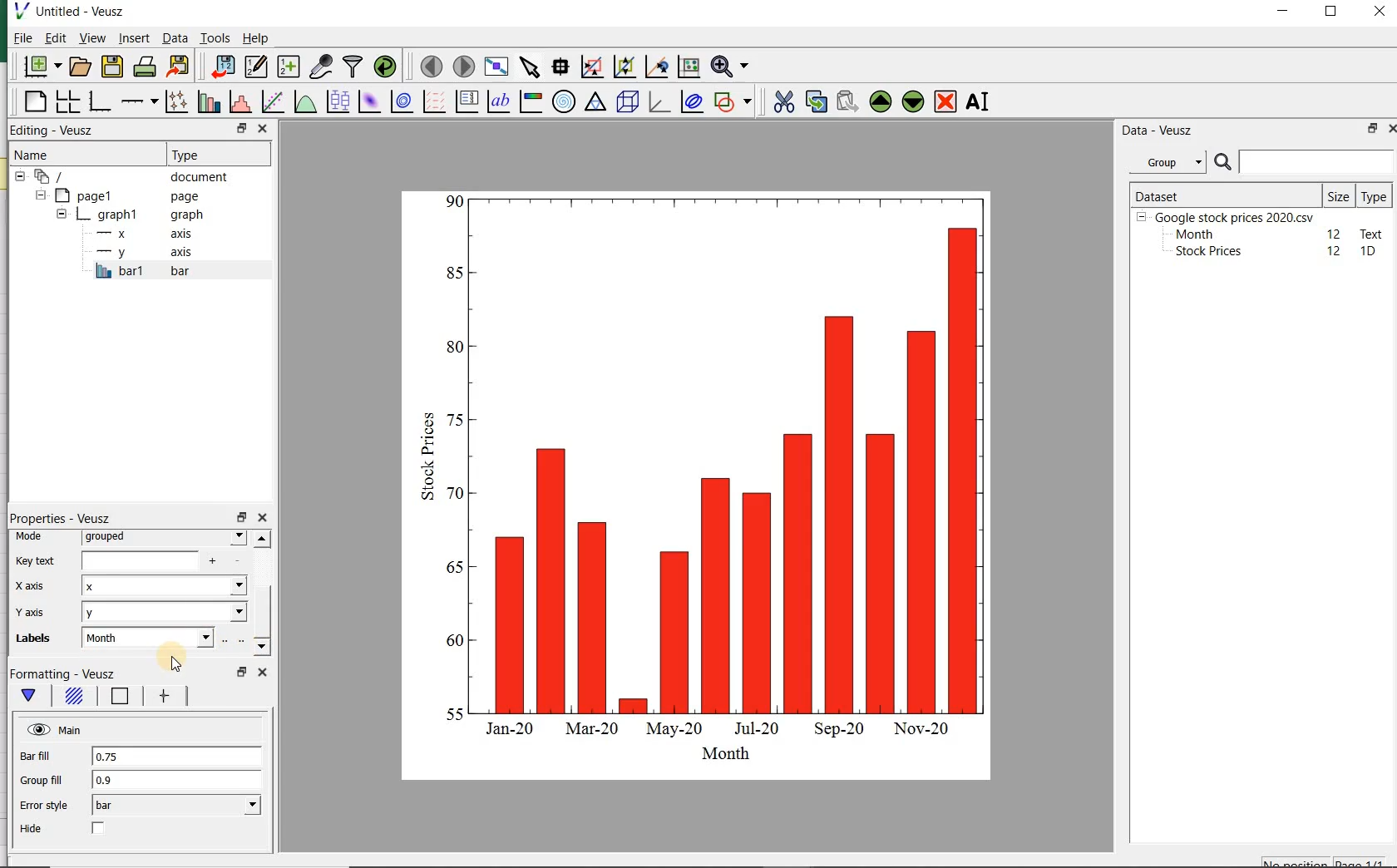 Image resolution: width=1397 pixels, height=868 pixels. What do you see at coordinates (913, 101) in the screenshot?
I see `move the selected widget down` at bounding box center [913, 101].